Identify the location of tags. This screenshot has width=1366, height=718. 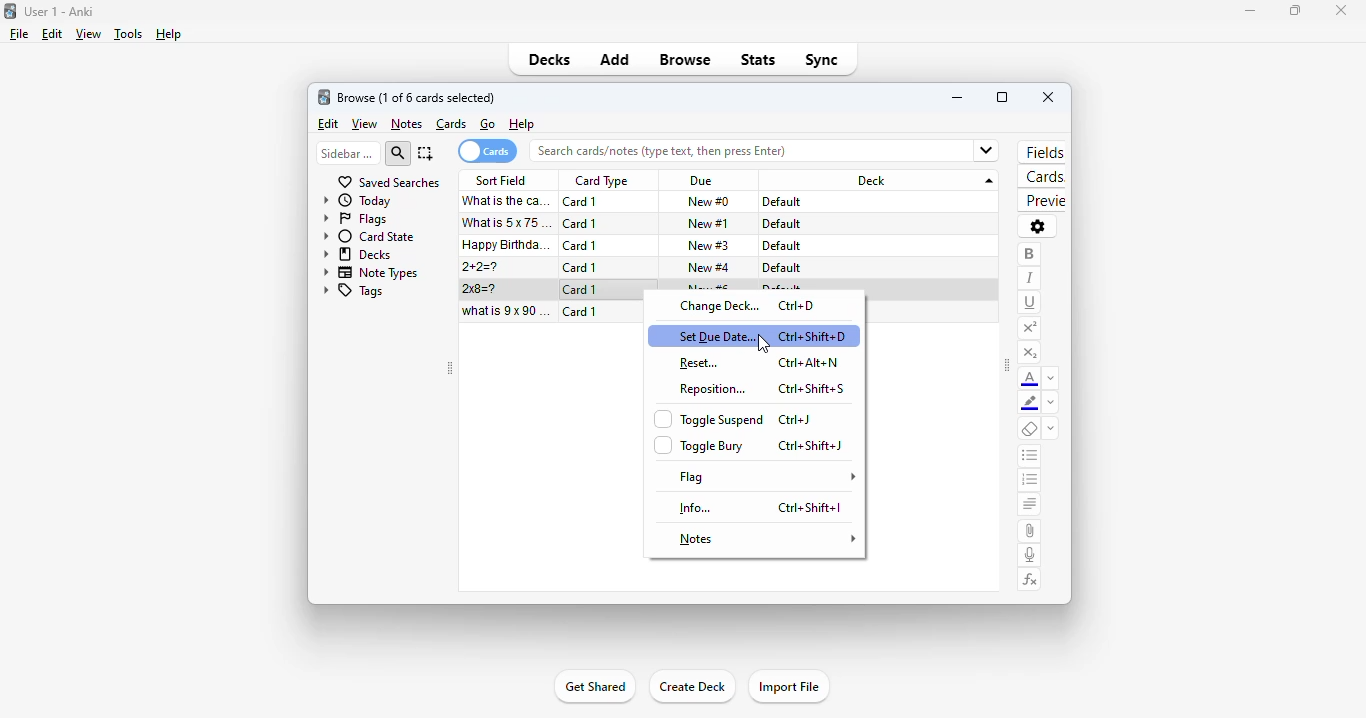
(353, 292).